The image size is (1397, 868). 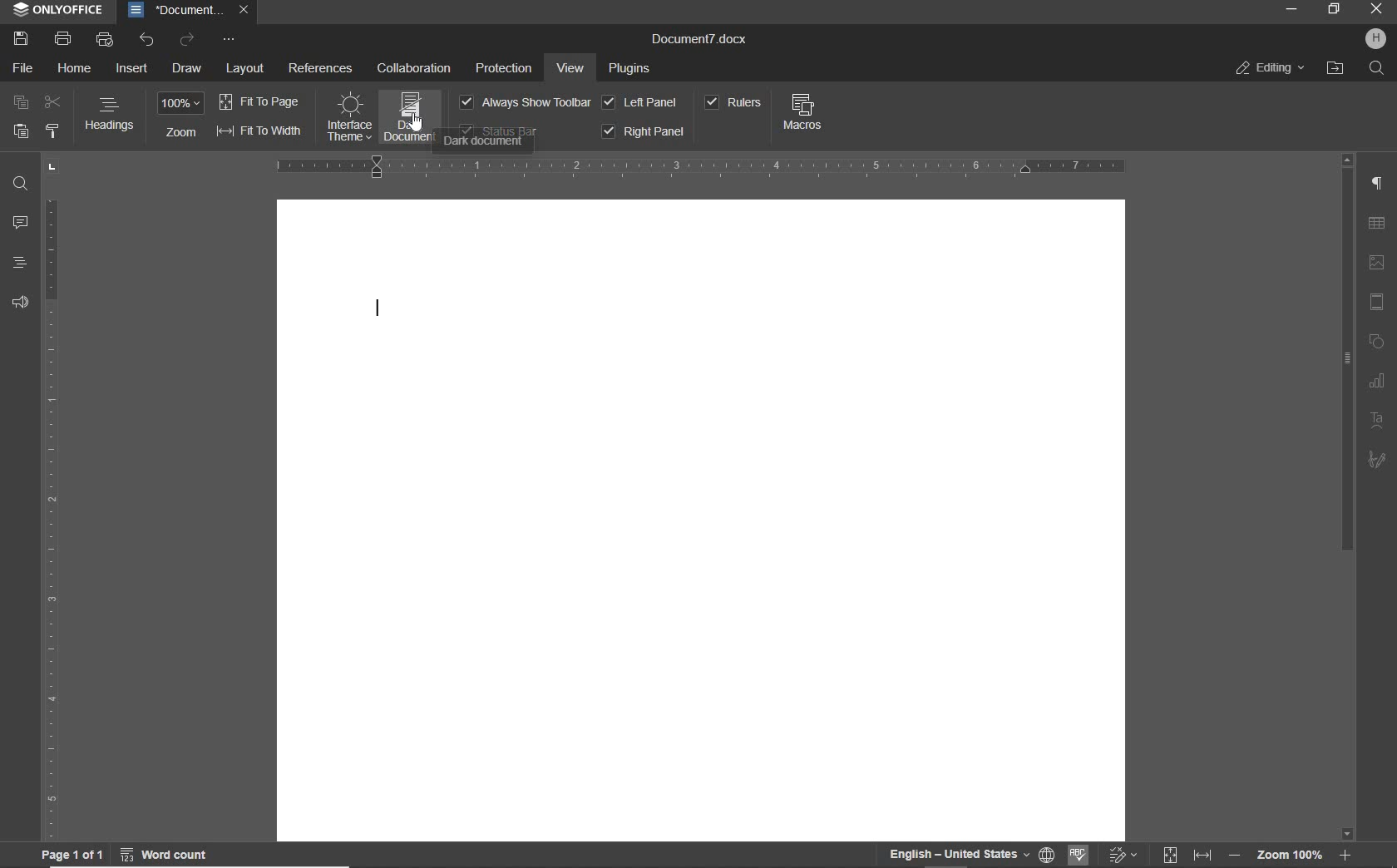 What do you see at coordinates (350, 119) in the screenshot?
I see `changed INTERFACE THEME to dark` at bounding box center [350, 119].